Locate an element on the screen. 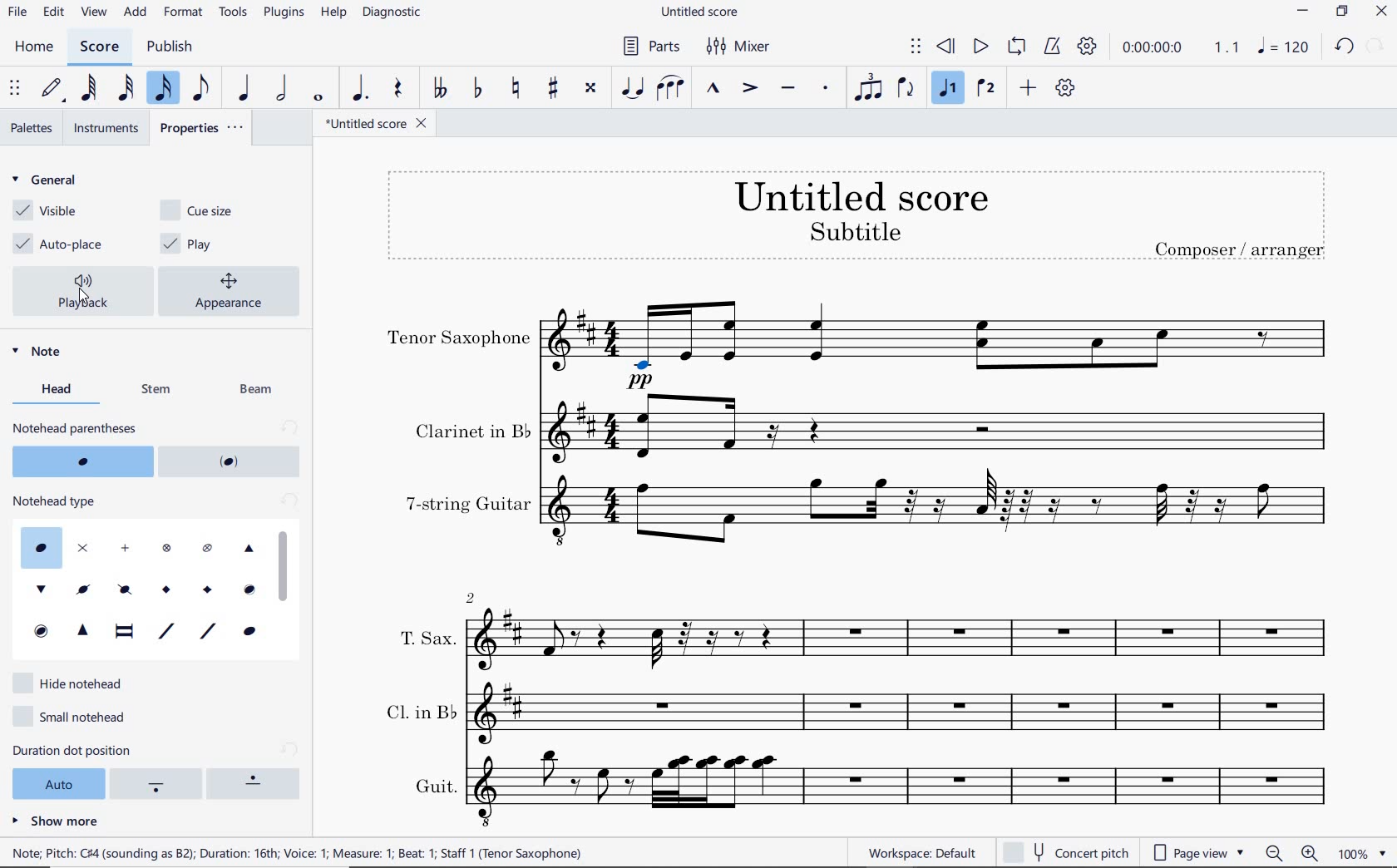 The width and height of the screenshot is (1397, 868). head is located at coordinates (62, 389).